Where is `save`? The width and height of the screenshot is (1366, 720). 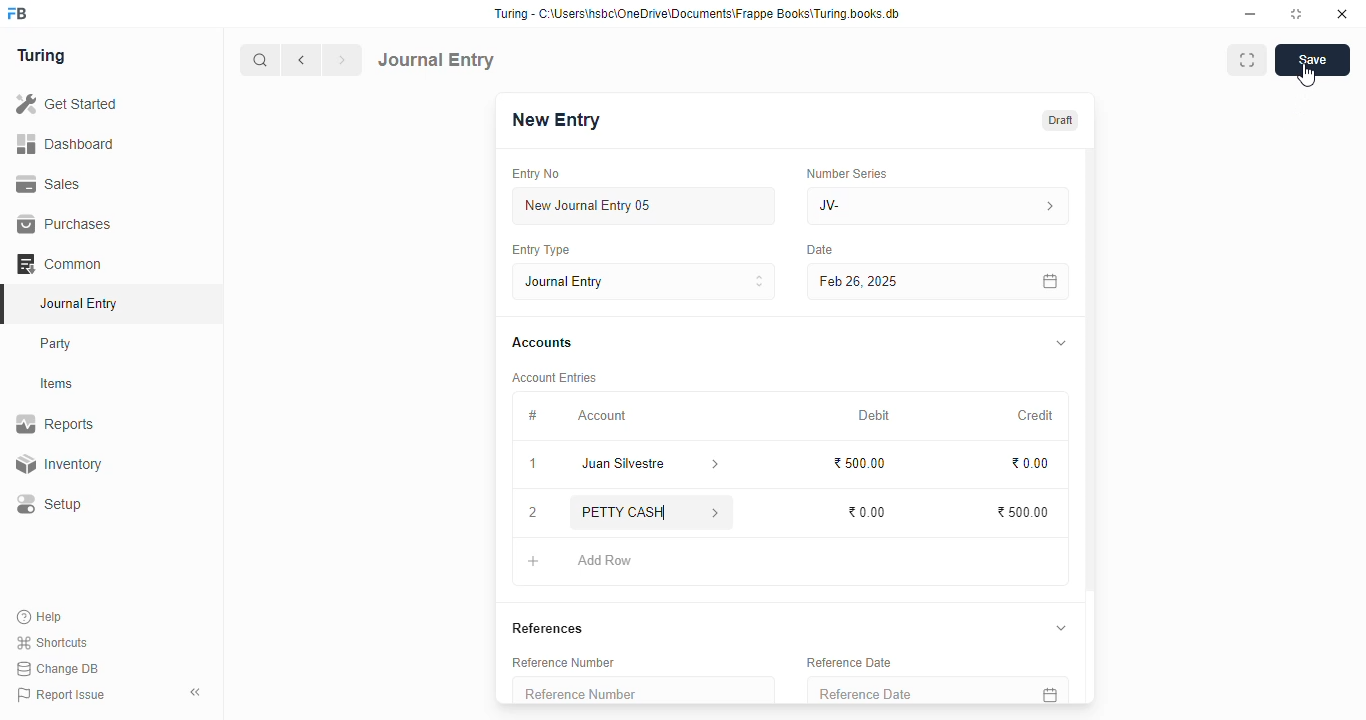
save is located at coordinates (1312, 60).